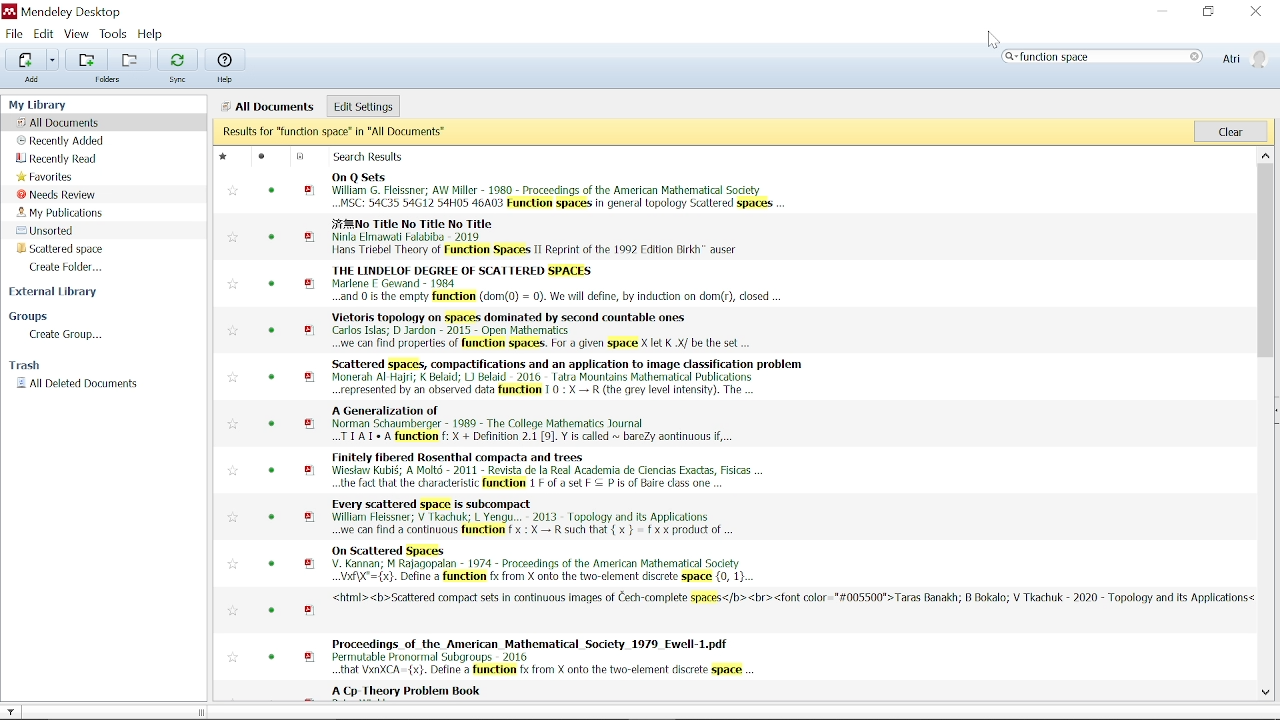 This screenshot has width=1280, height=720. Describe the element at coordinates (68, 335) in the screenshot. I see `Create group` at that location.